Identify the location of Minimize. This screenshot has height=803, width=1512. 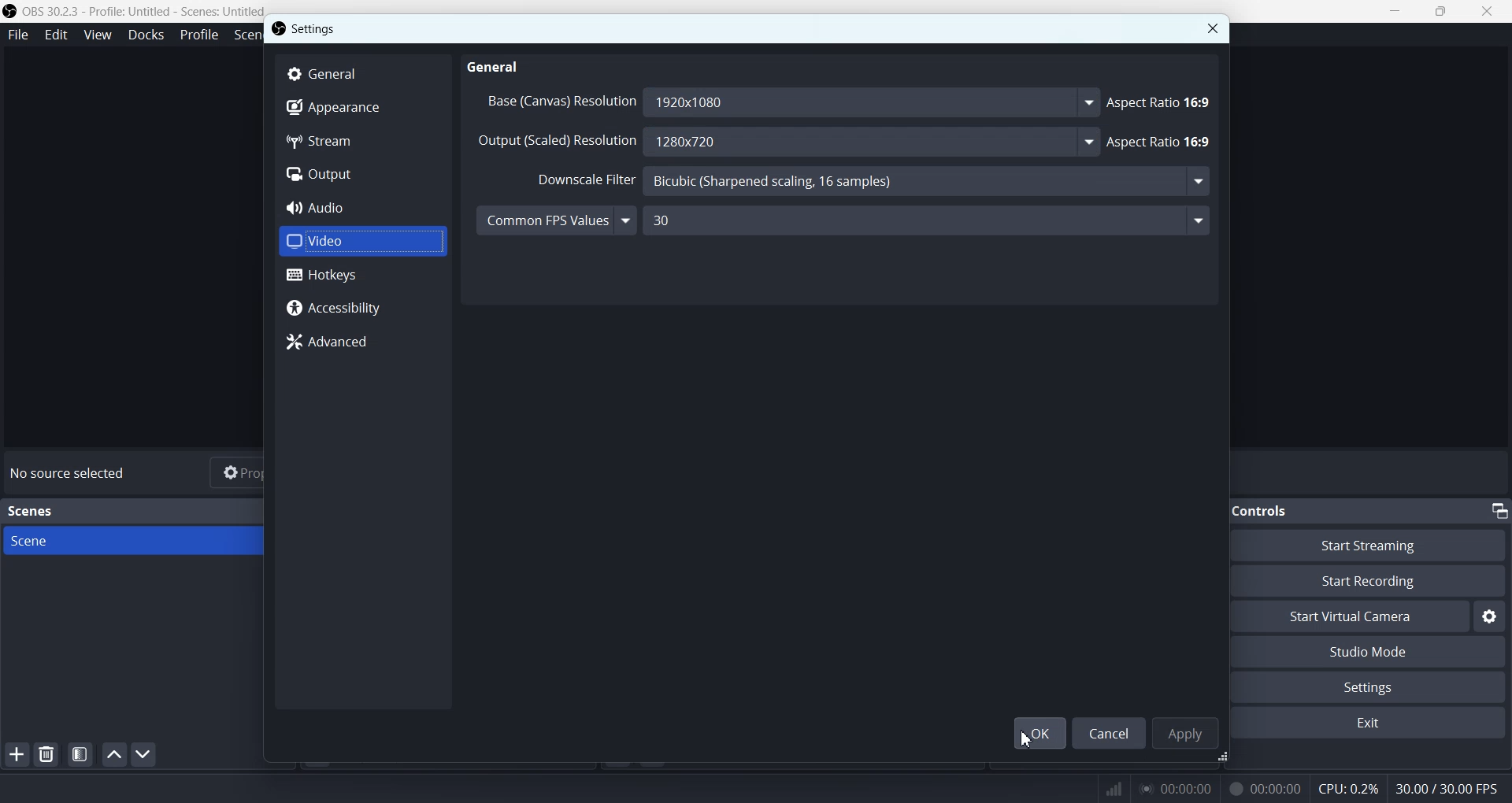
(1395, 10).